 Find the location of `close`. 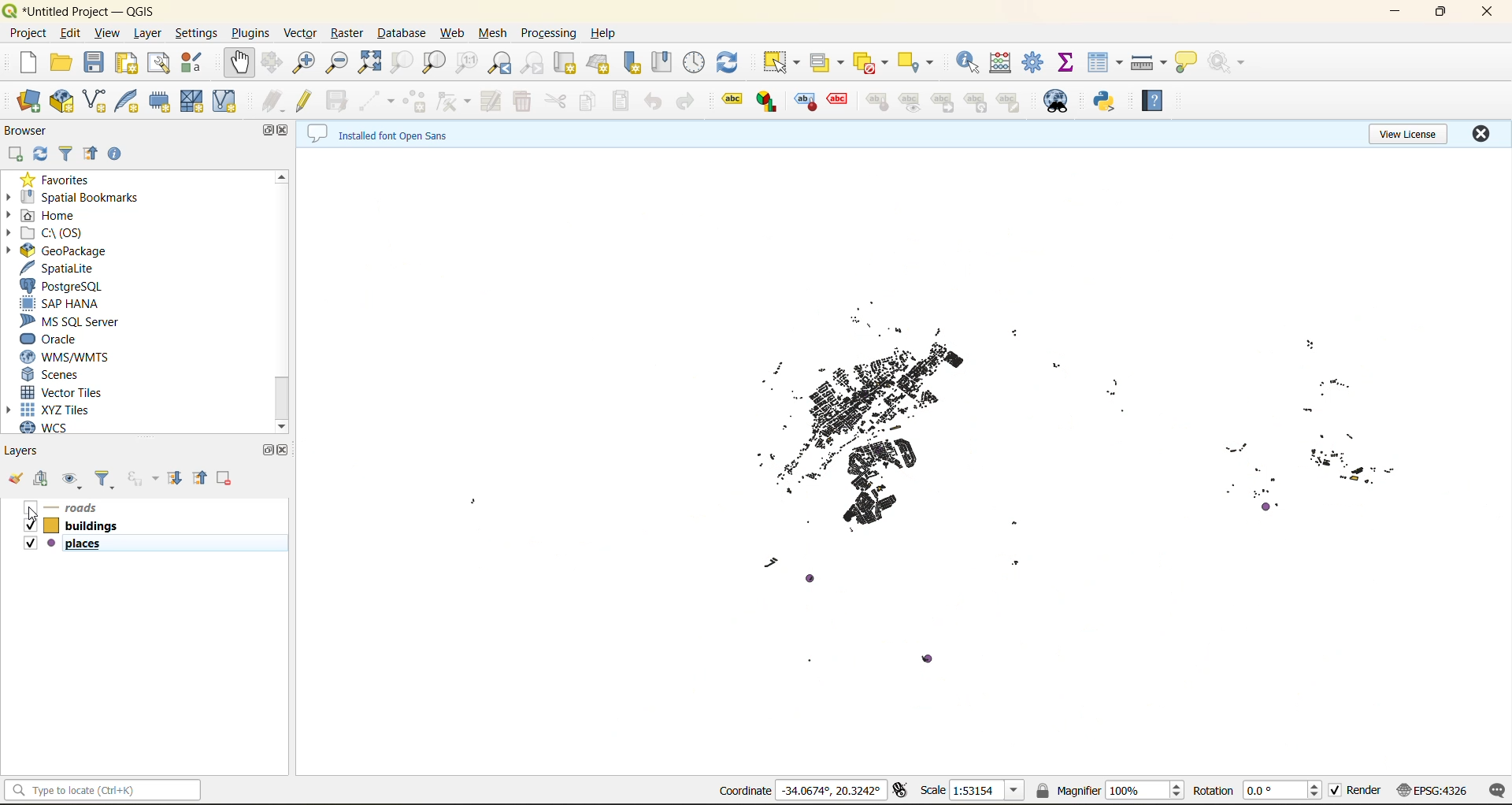

close is located at coordinates (1484, 134).